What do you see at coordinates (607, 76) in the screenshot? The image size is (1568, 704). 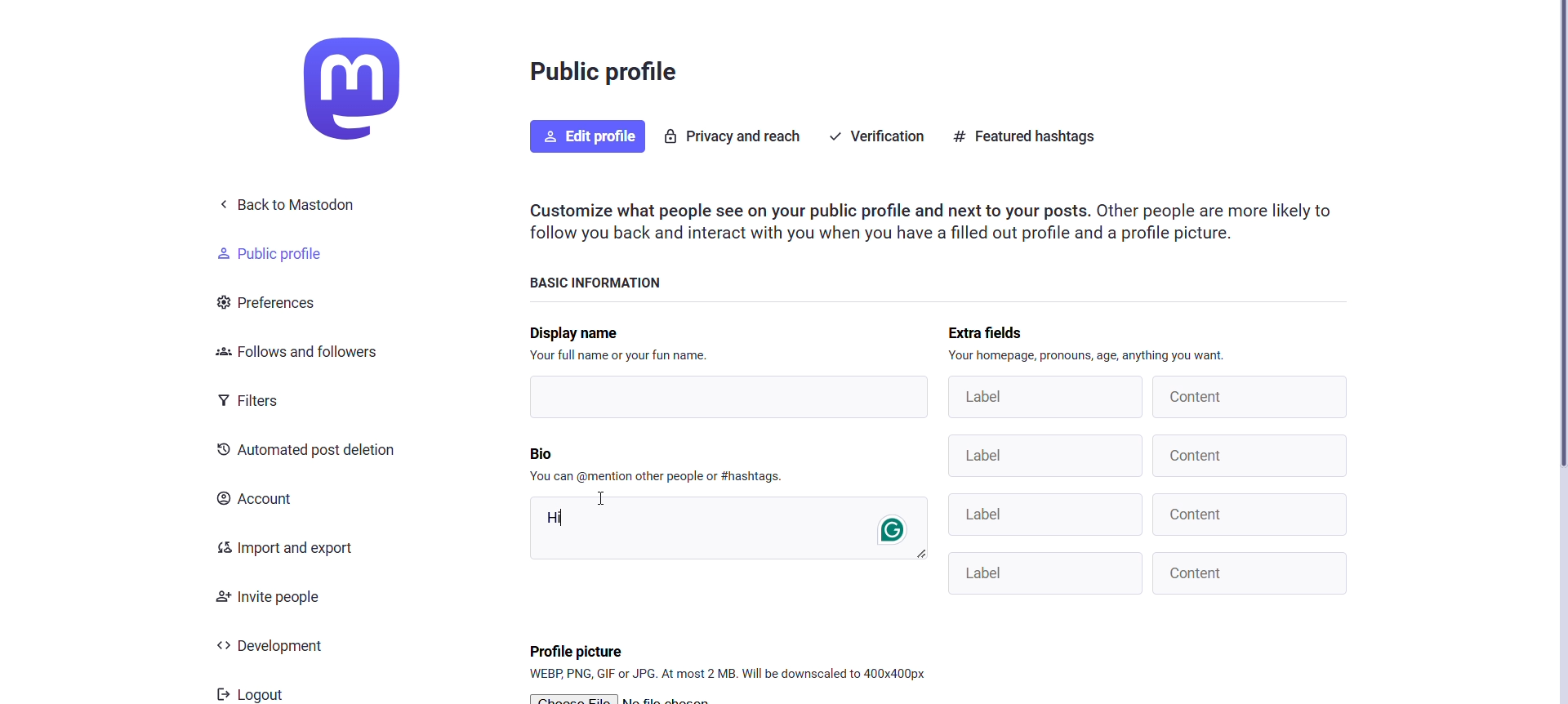 I see `Public Profile` at bounding box center [607, 76].